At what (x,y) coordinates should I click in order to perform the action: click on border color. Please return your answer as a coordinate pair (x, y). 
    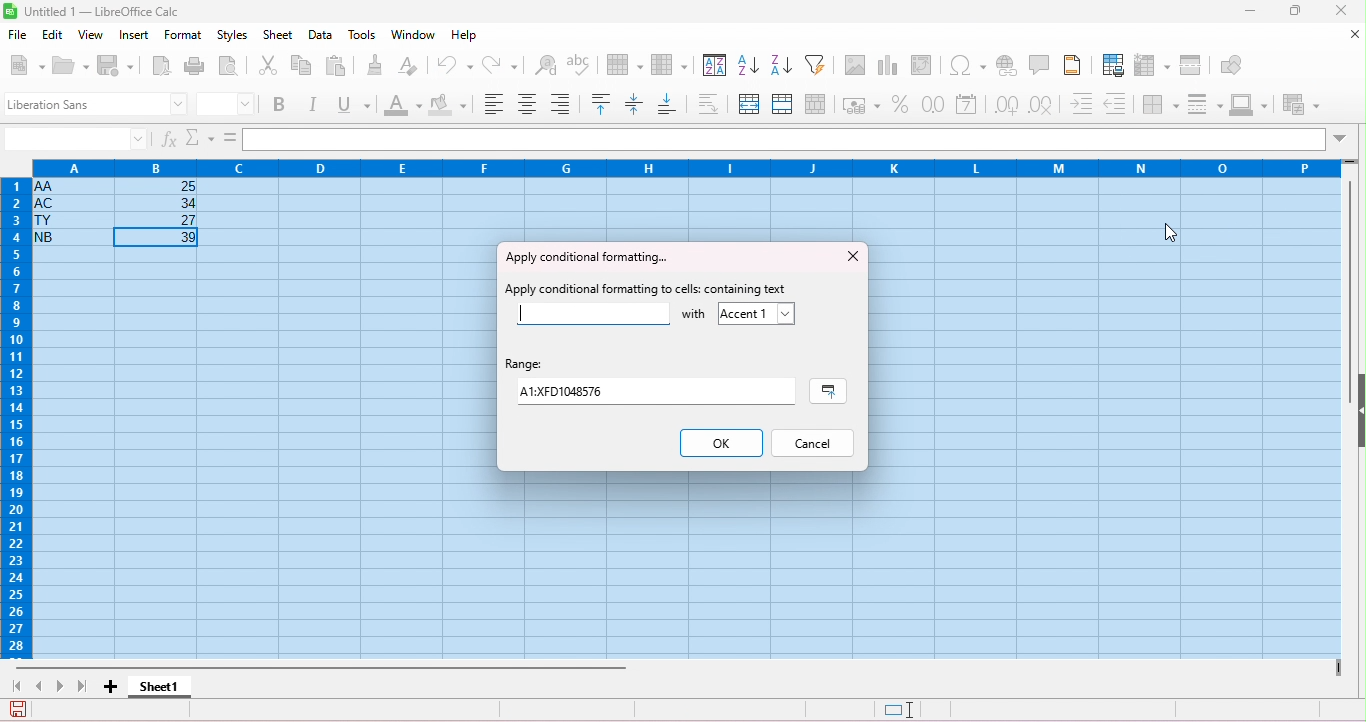
    Looking at the image, I should click on (1251, 104).